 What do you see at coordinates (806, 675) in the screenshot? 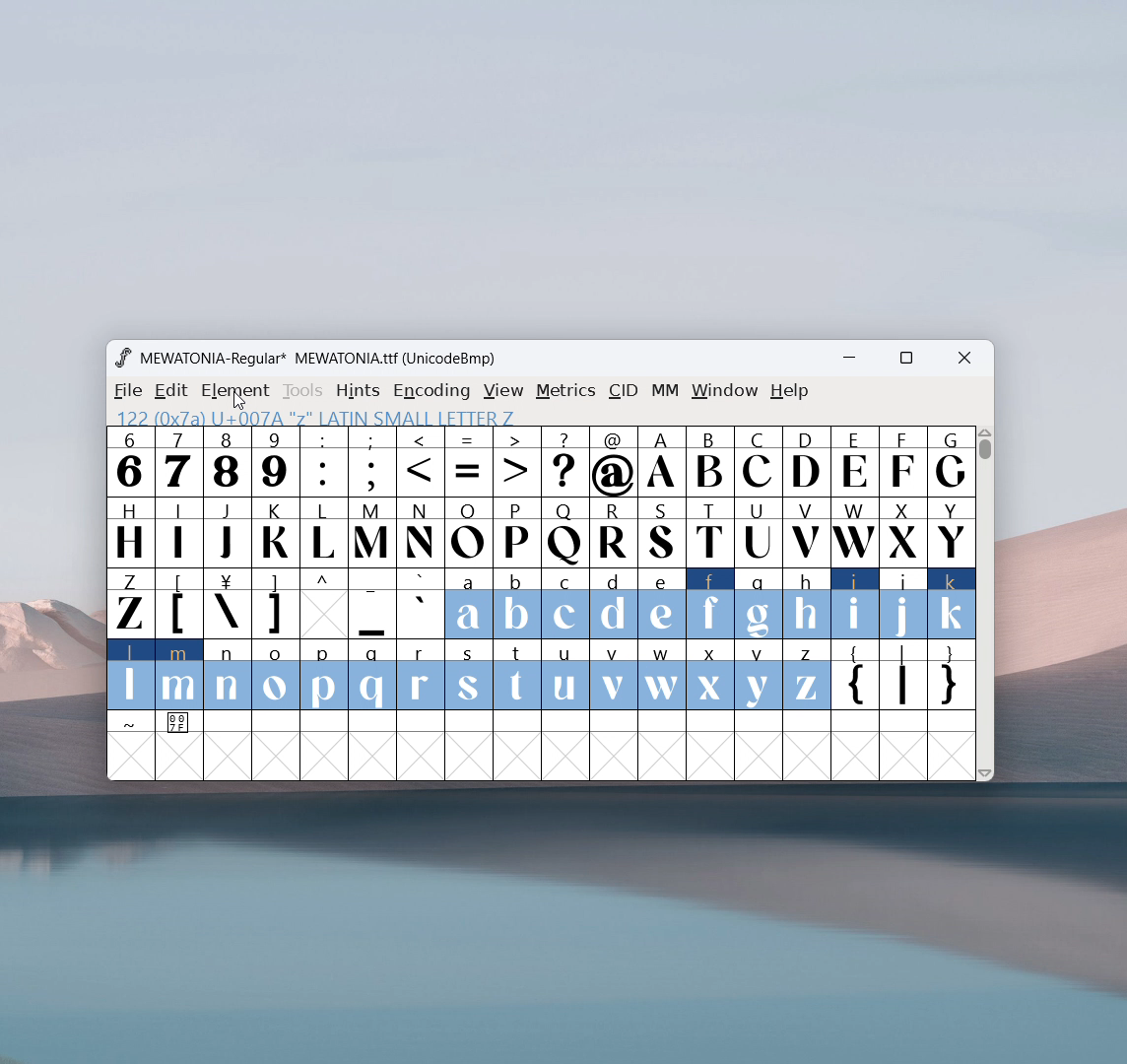
I see `z` at bounding box center [806, 675].